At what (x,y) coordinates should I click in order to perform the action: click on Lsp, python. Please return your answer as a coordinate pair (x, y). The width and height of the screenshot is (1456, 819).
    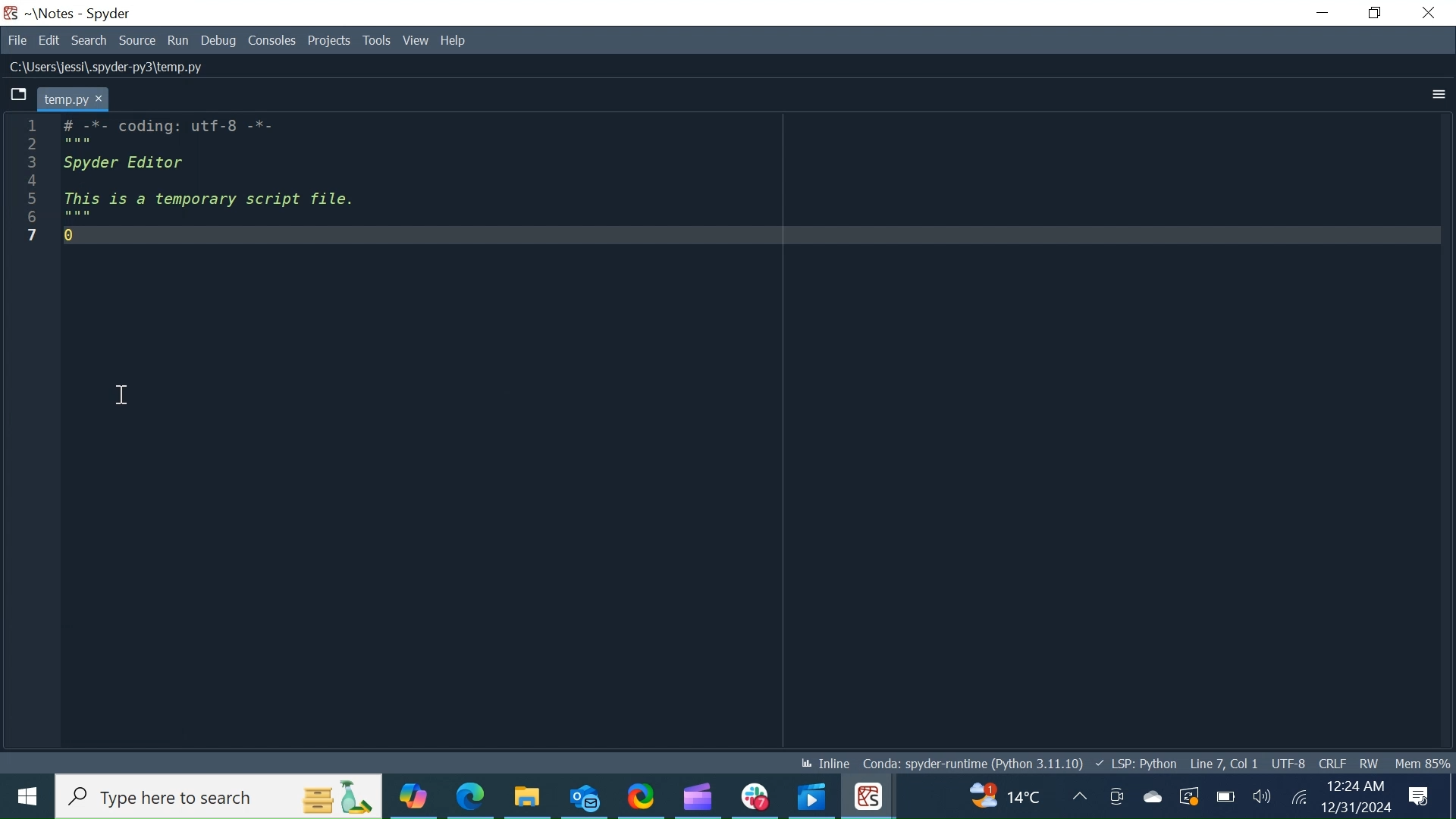
    Looking at the image, I should click on (1142, 763).